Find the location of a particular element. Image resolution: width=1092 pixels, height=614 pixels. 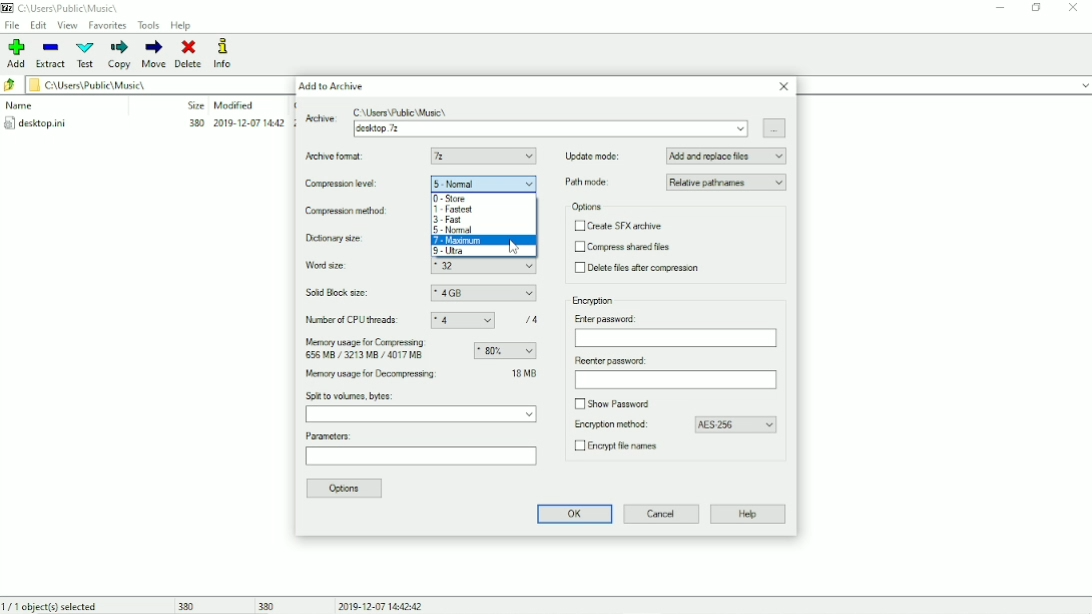

OK is located at coordinates (572, 514).